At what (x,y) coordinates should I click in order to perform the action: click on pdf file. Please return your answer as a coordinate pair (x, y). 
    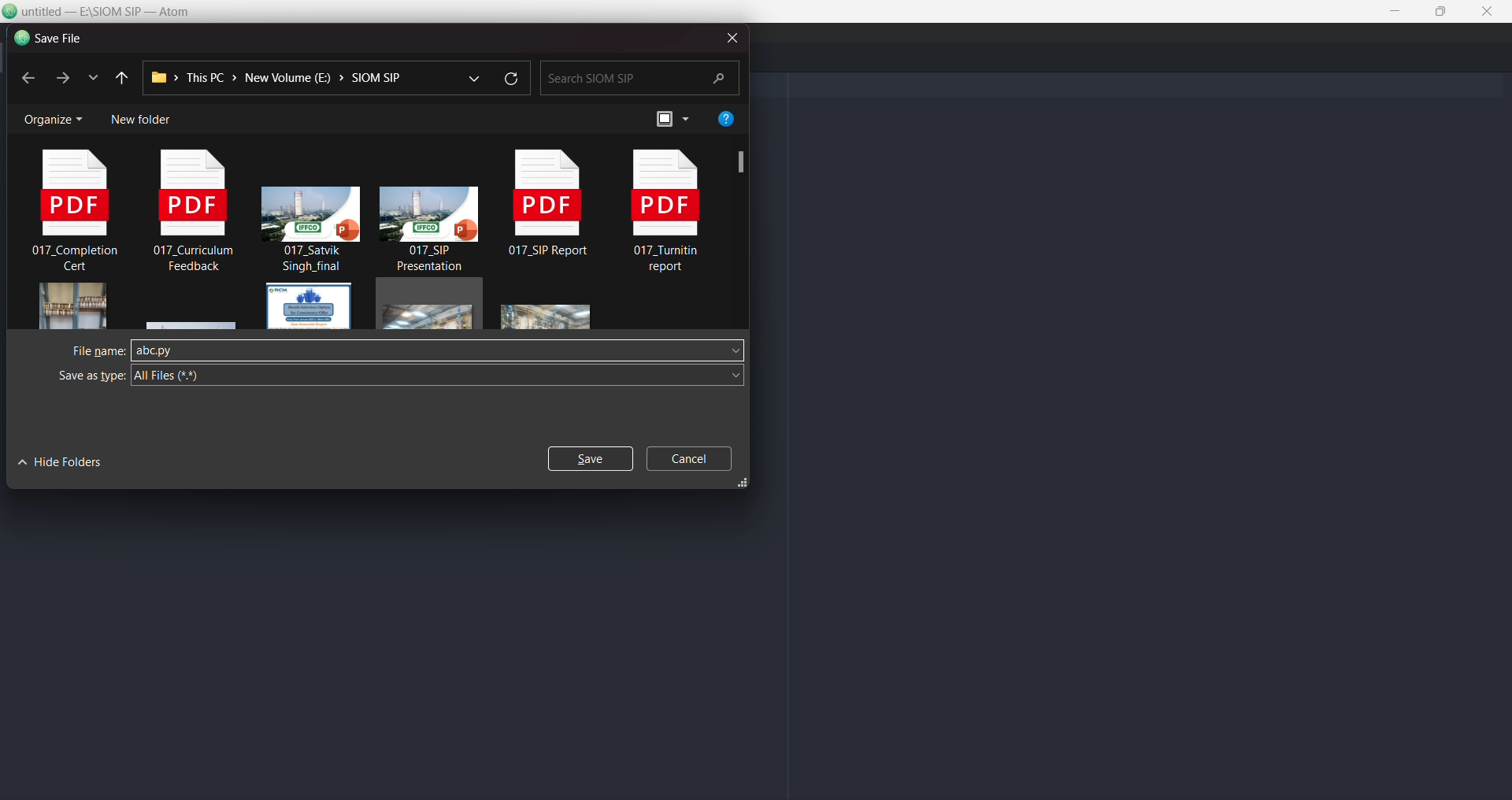
    Looking at the image, I should click on (195, 209).